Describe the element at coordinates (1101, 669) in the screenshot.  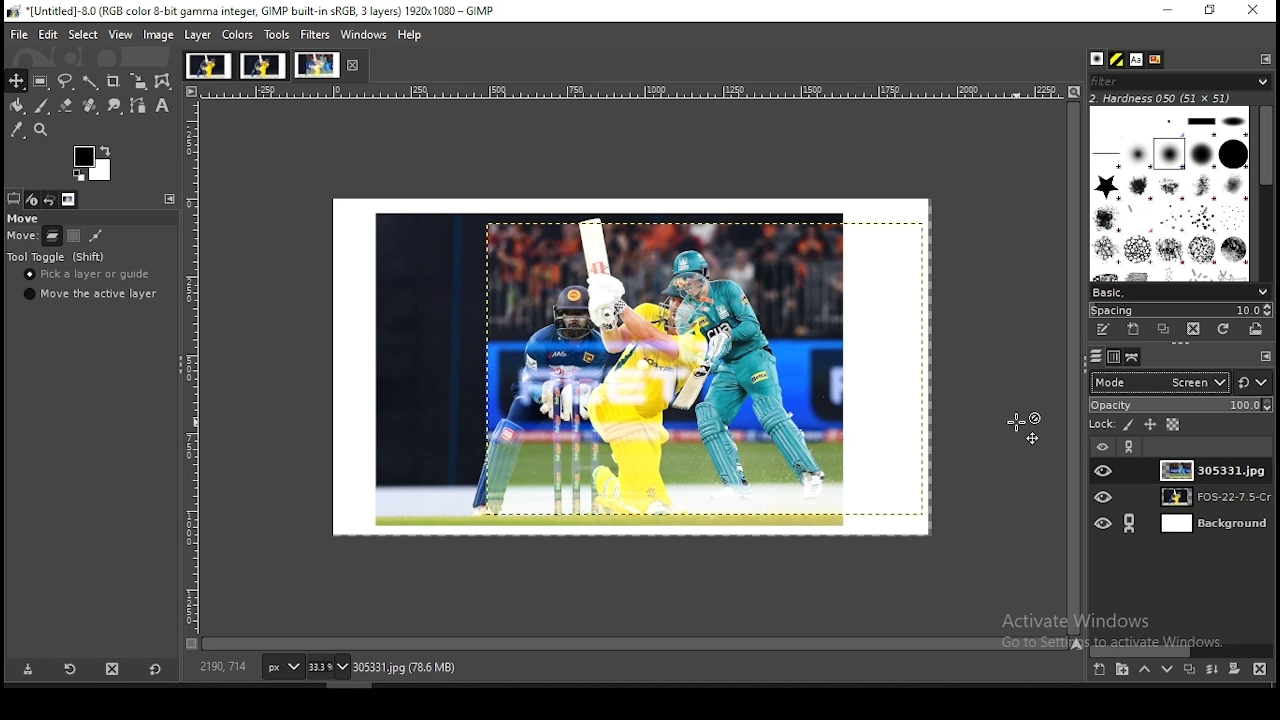
I see `new layer` at that location.